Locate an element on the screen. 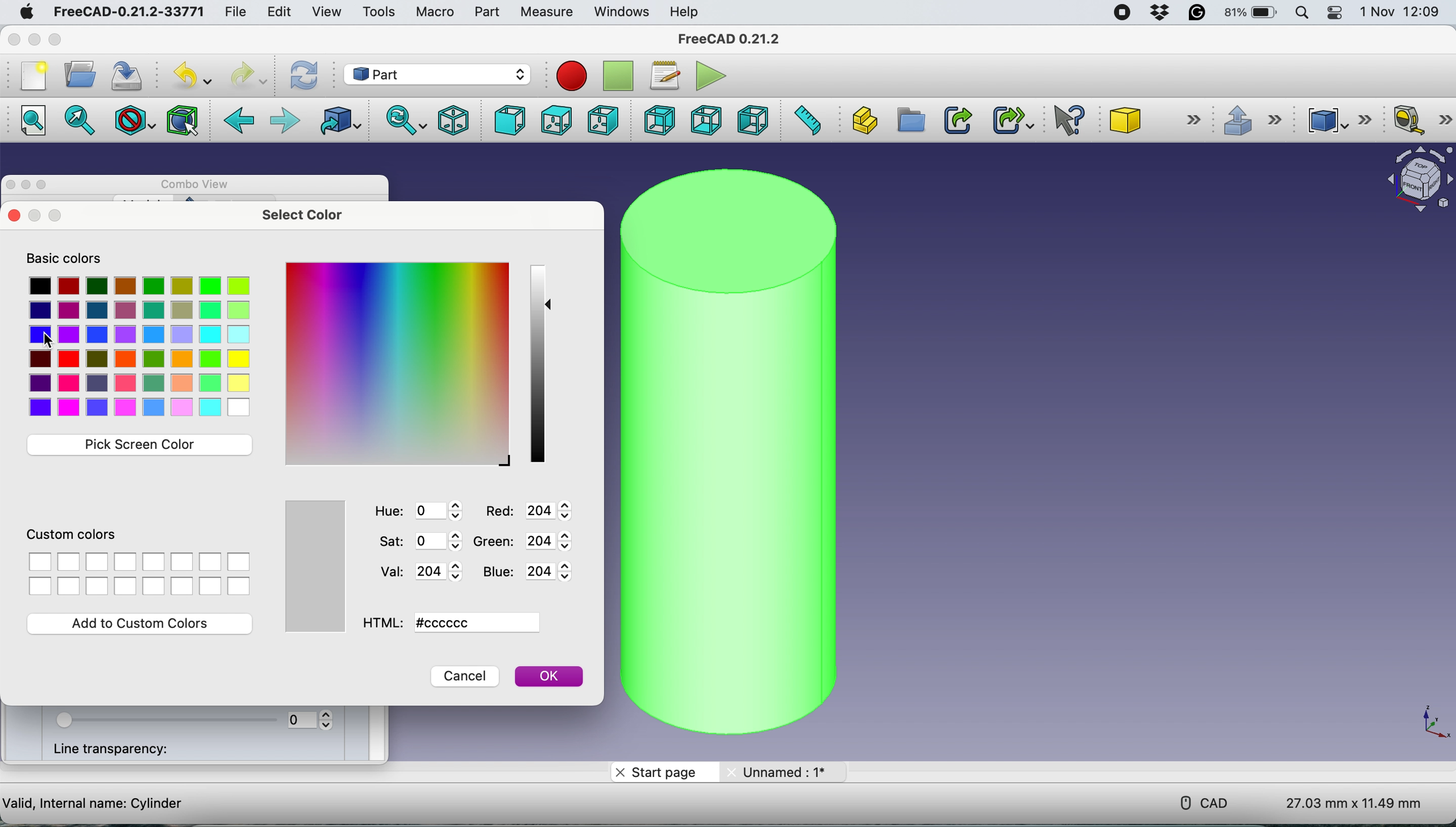  stop recording macros is located at coordinates (617, 76).